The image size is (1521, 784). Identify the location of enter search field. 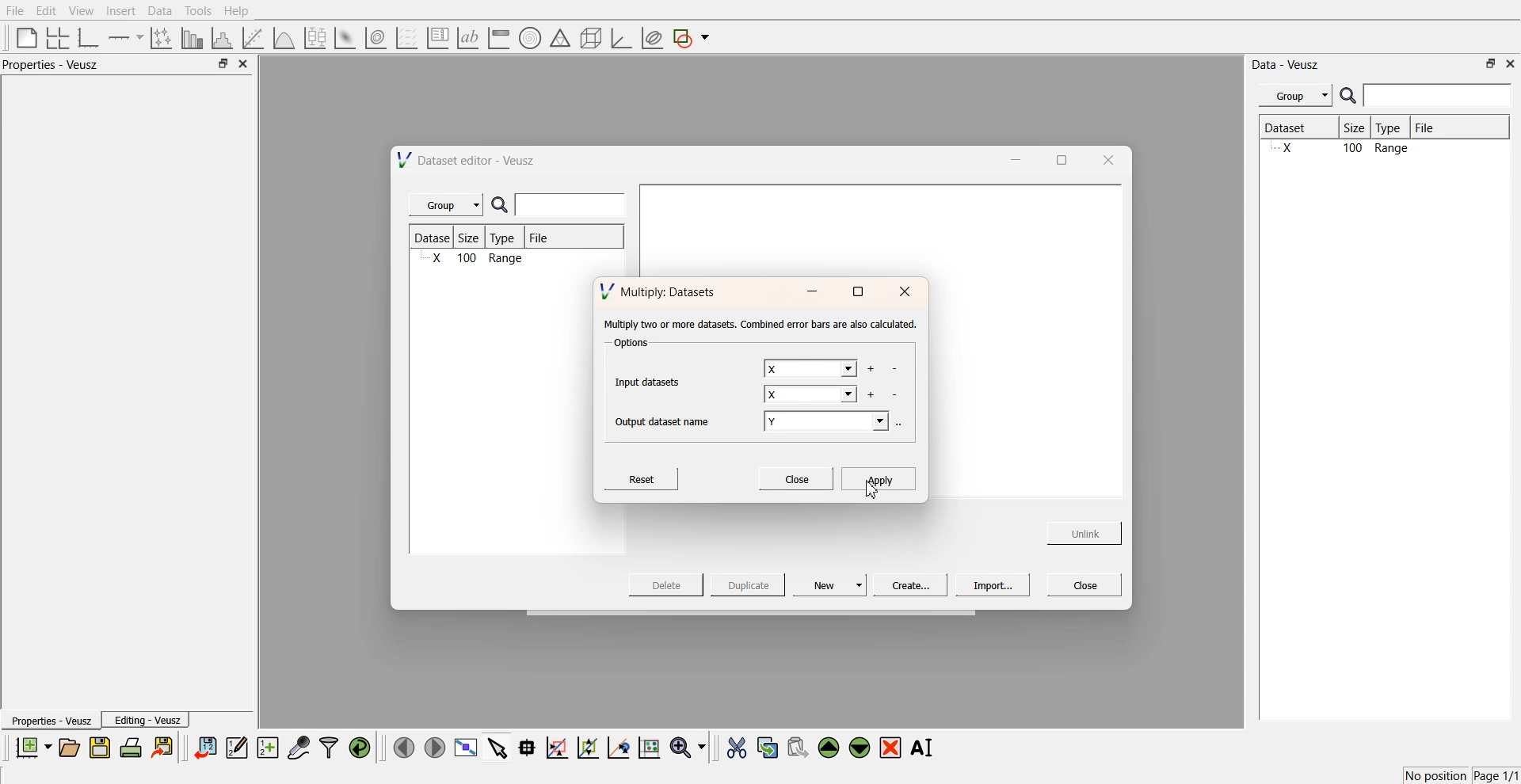
(573, 205).